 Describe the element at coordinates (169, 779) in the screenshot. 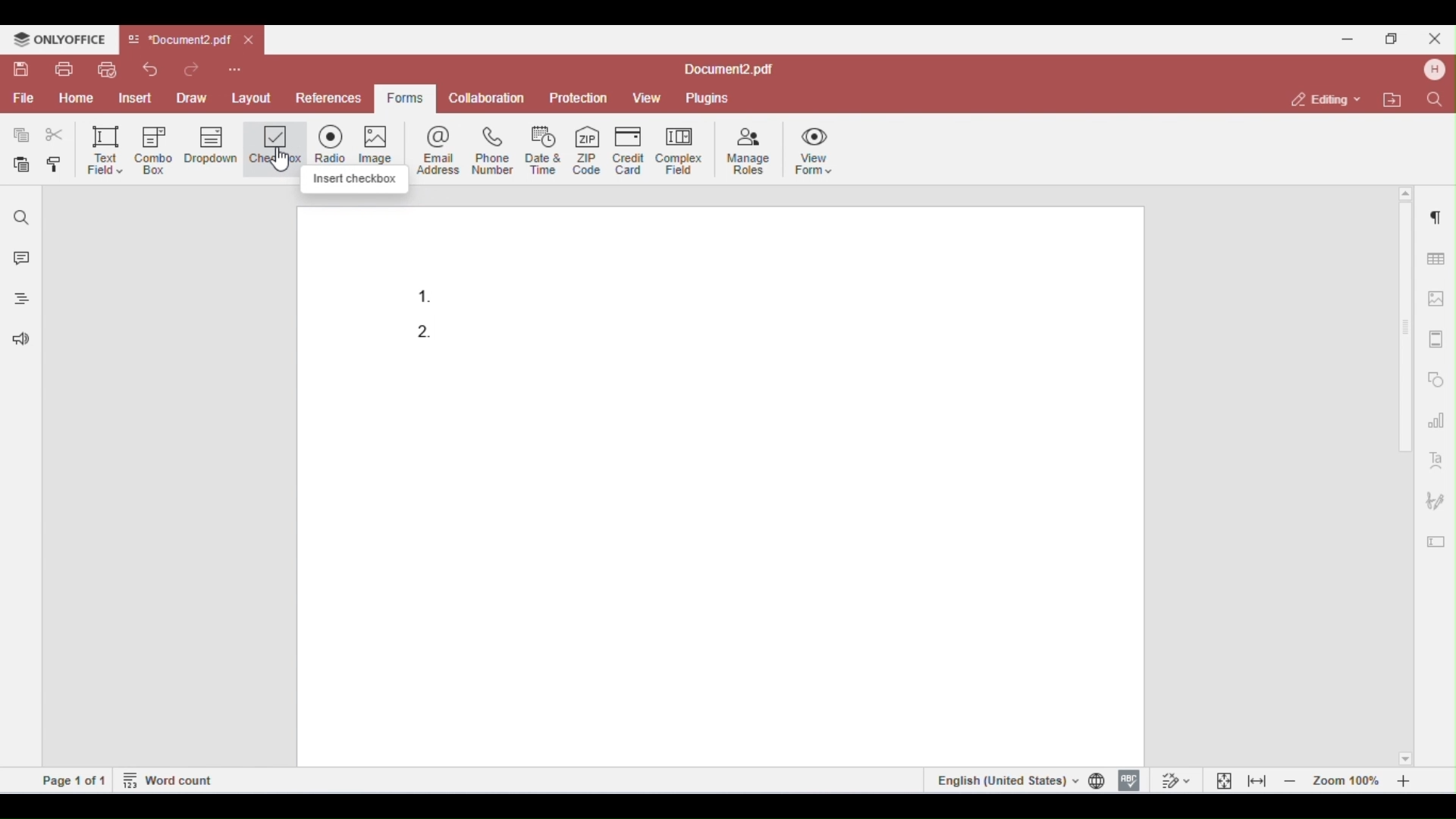

I see `word count` at that location.